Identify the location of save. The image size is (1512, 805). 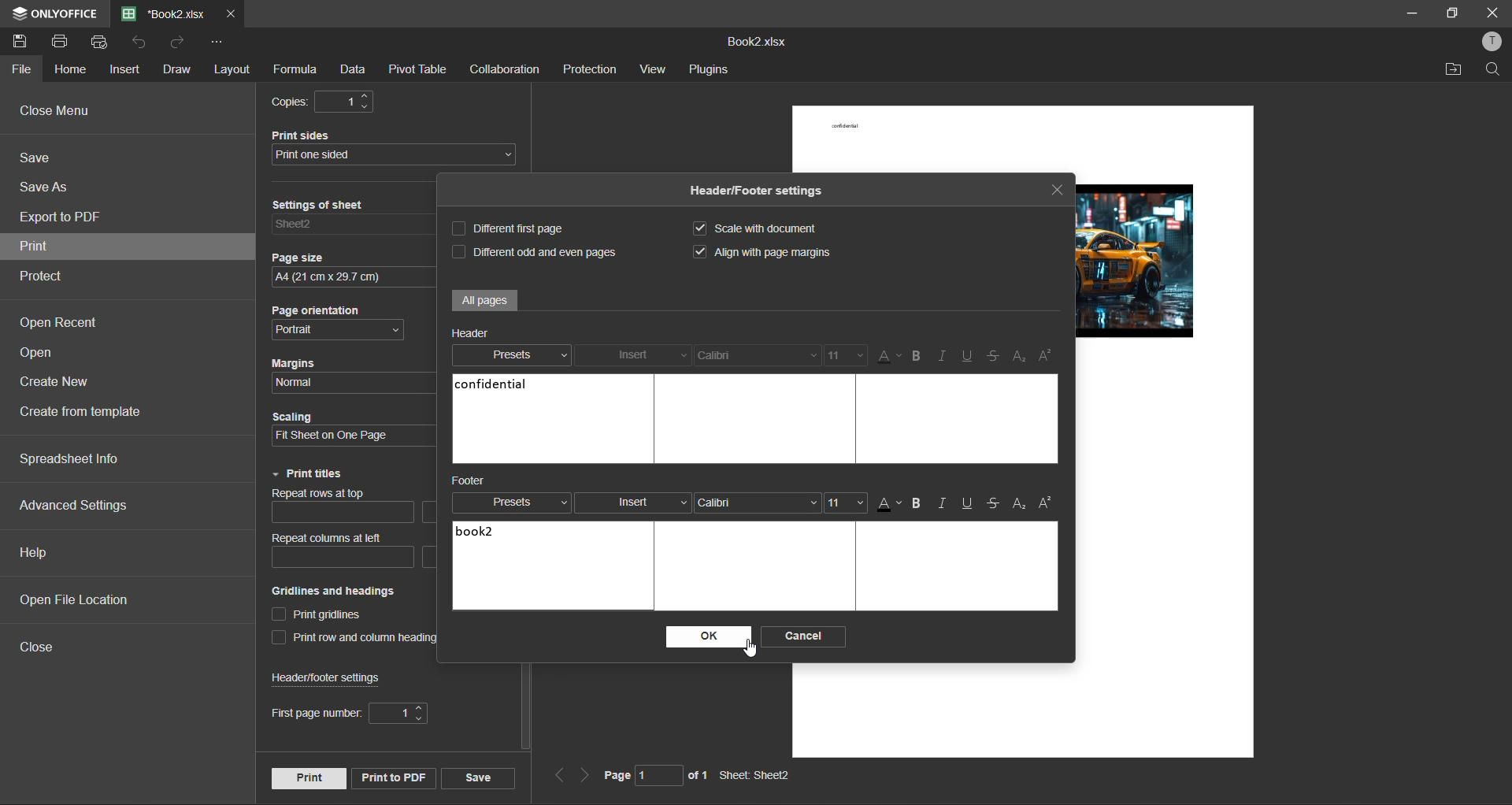
(44, 158).